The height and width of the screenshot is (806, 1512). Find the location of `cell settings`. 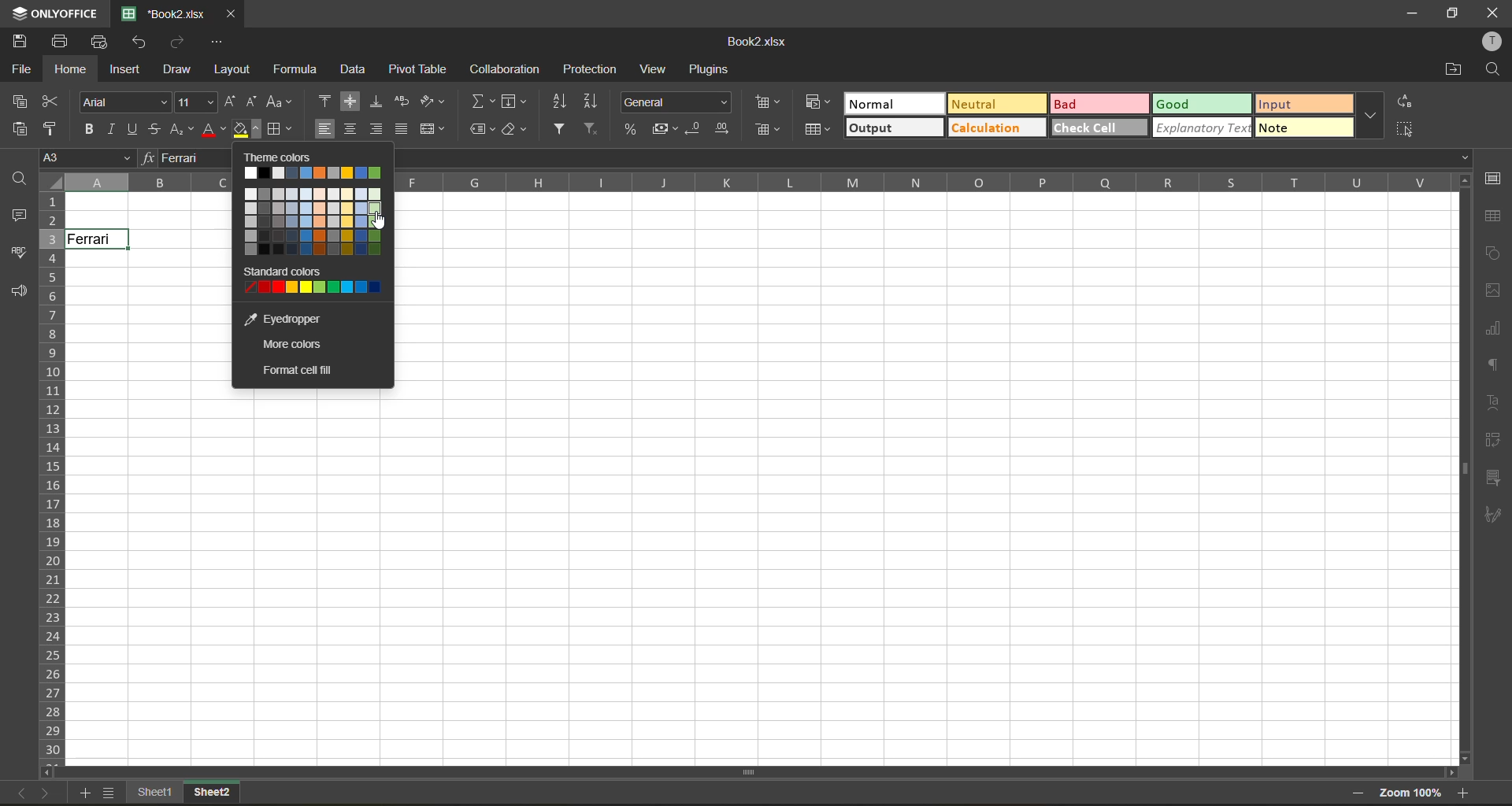

cell settings is located at coordinates (1497, 179).